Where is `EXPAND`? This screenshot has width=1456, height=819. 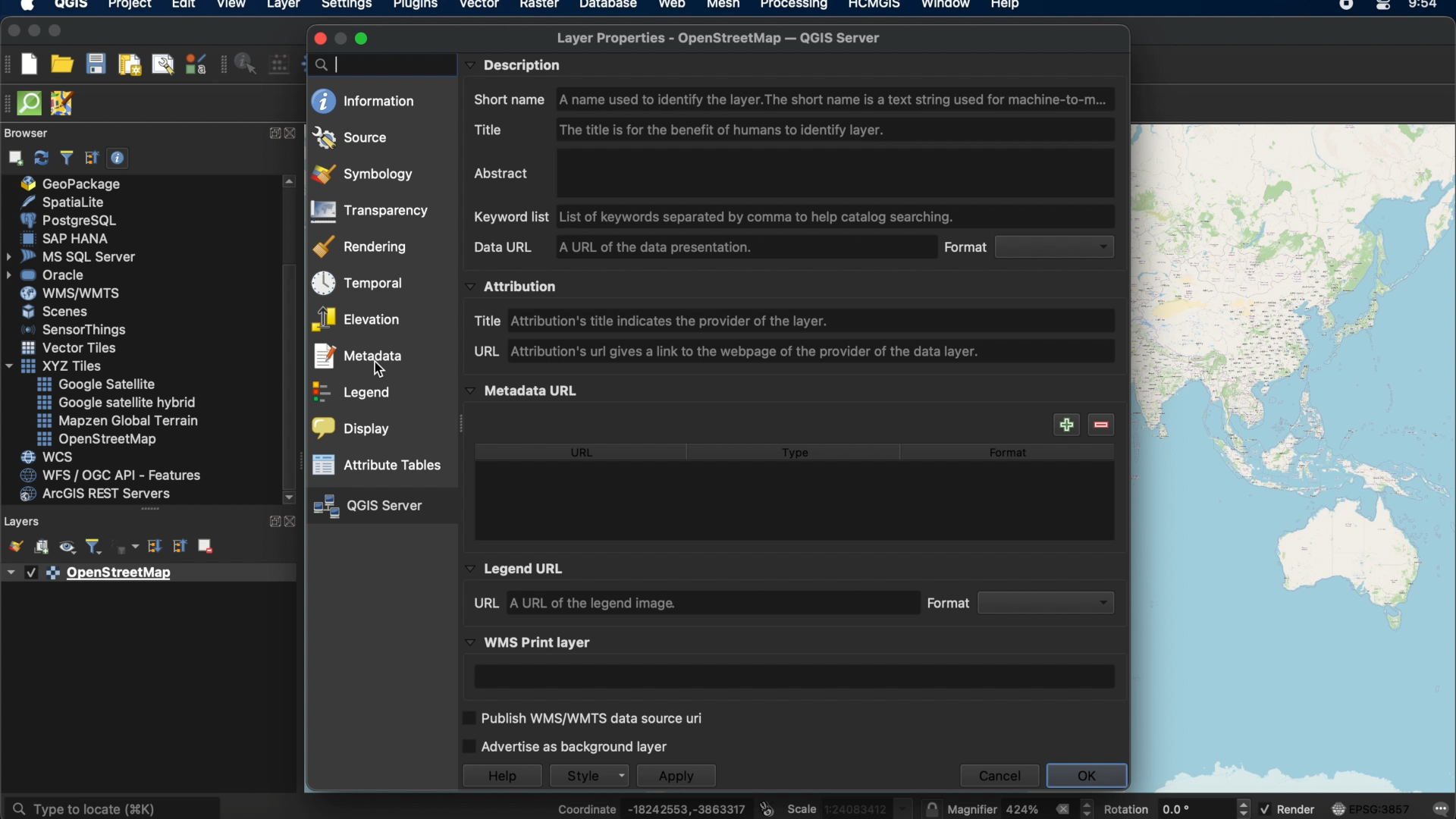 EXPAND is located at coordinates (272, 133).